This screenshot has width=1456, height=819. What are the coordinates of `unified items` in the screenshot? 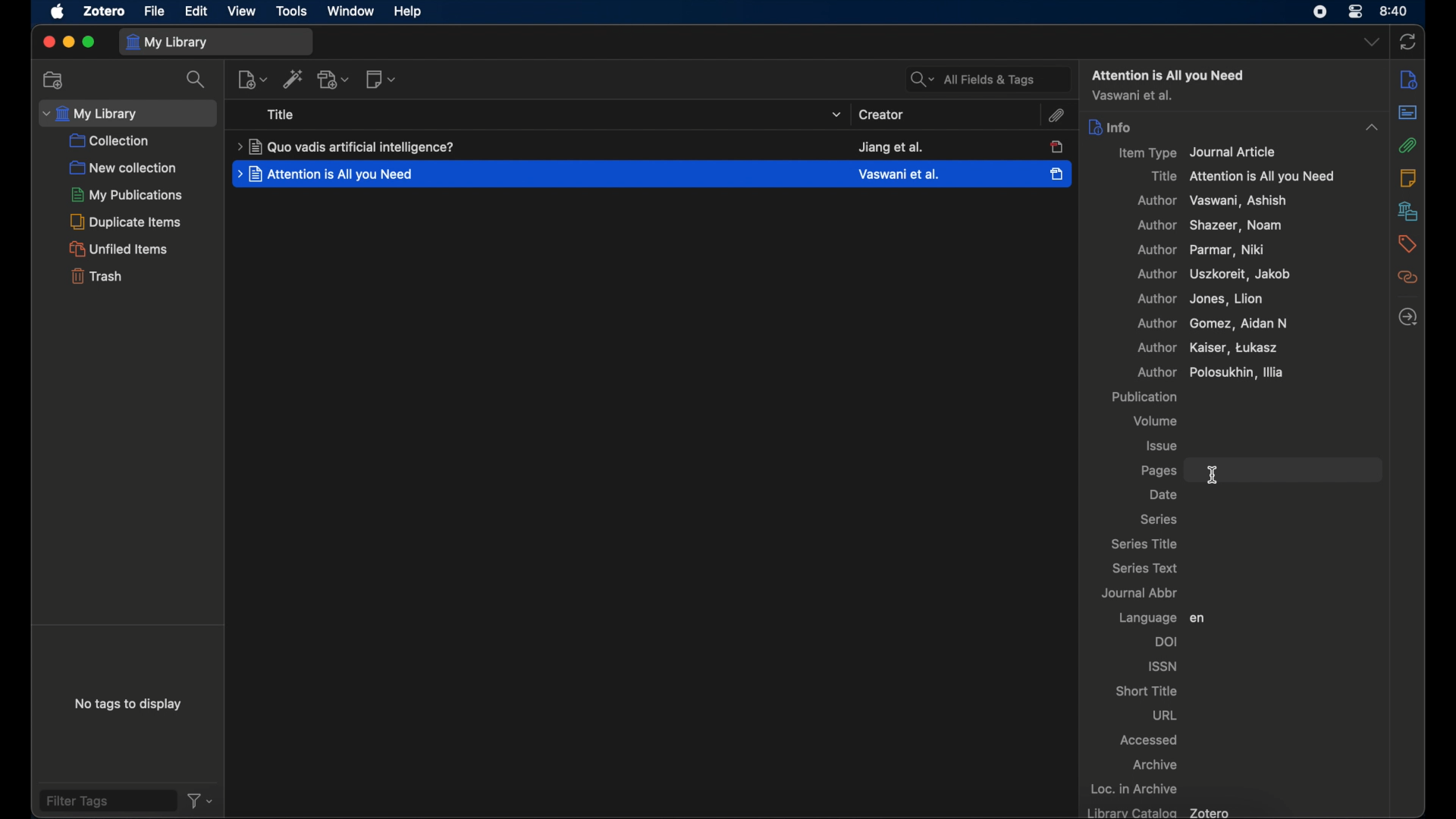 It's located at (119, 249).